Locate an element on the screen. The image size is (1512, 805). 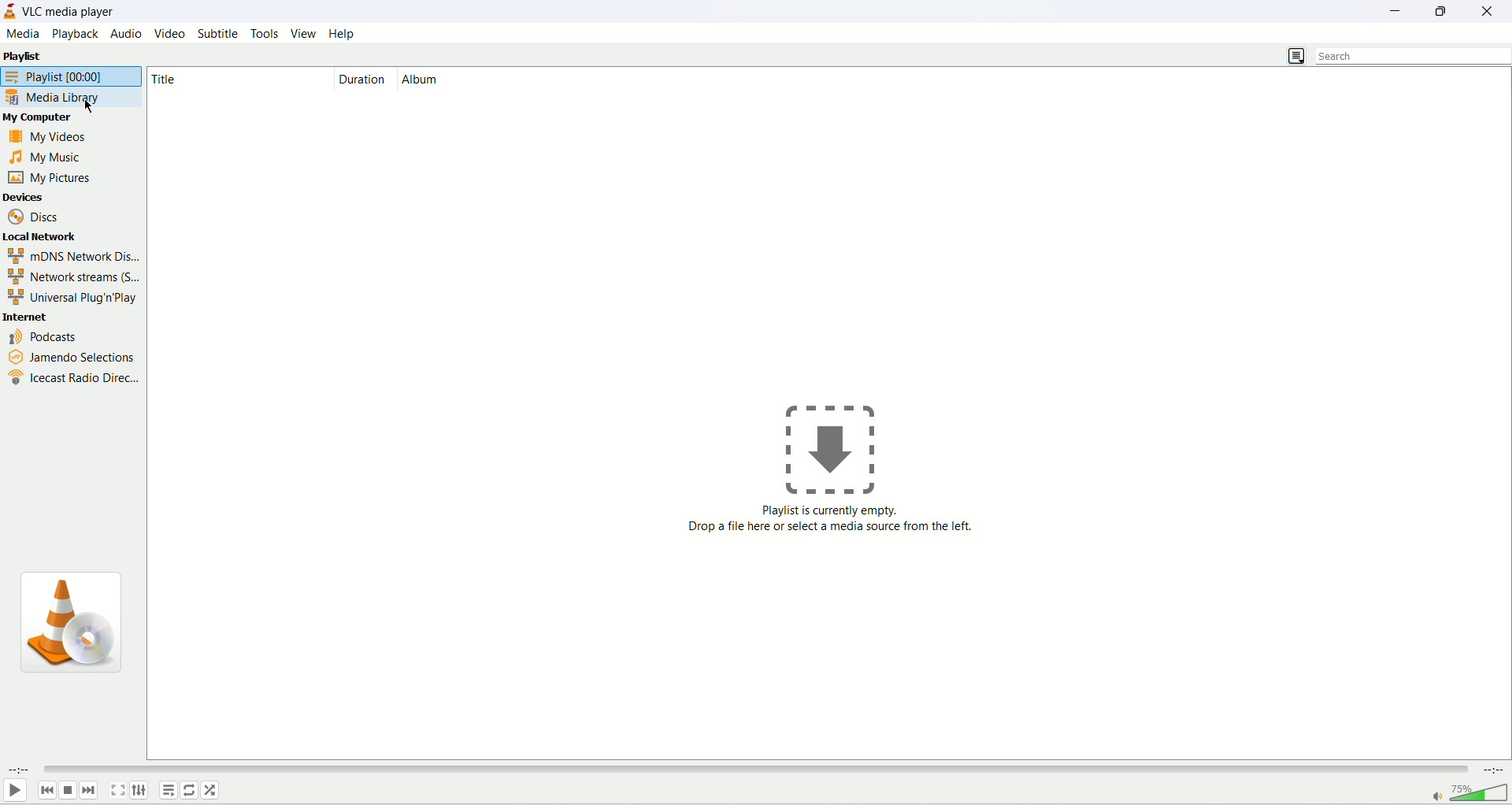
playlist is located at coordinates (167, 789).